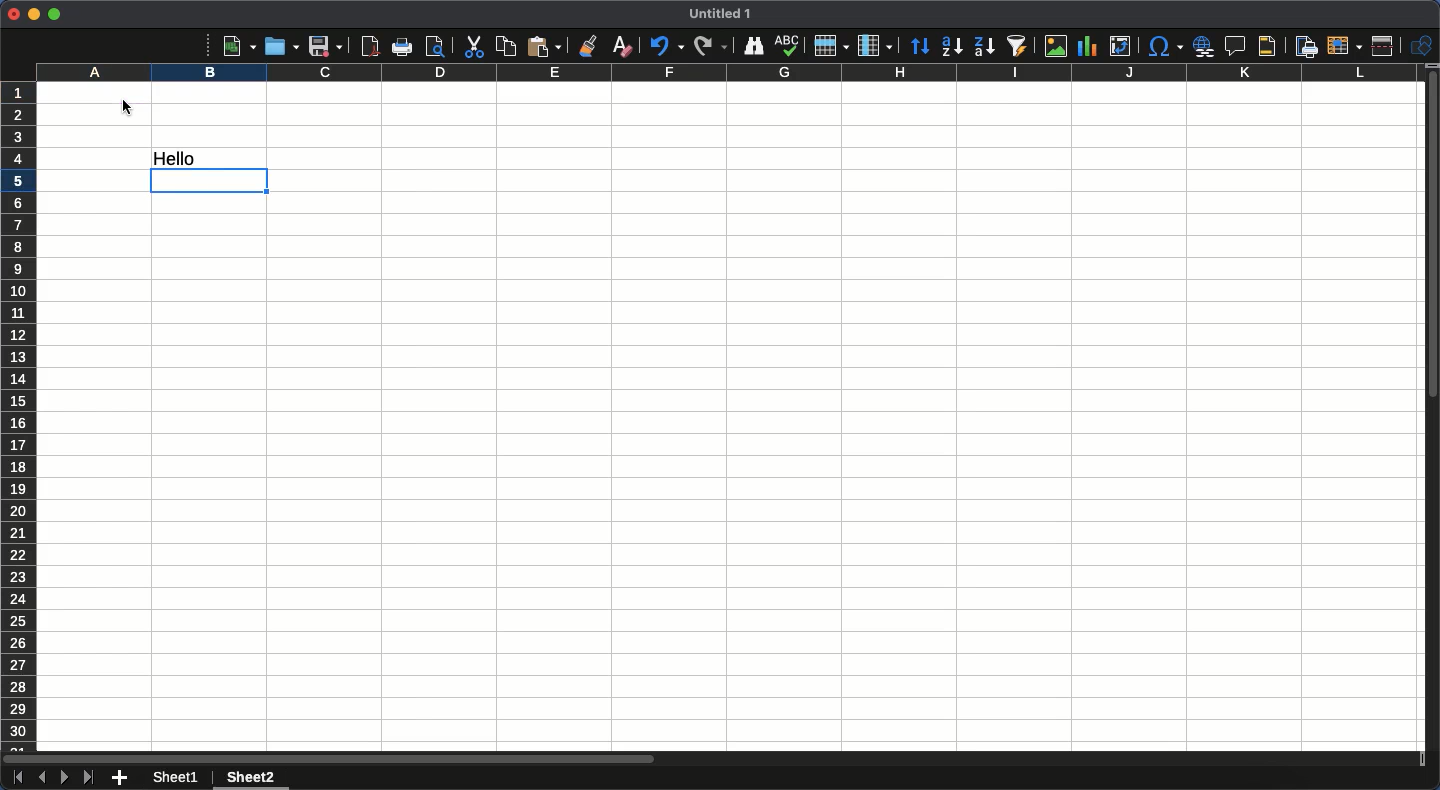  What do you see at coordinates (130, 109) in the screenshot?
I see `cursor` at bounding box center [130, 109].